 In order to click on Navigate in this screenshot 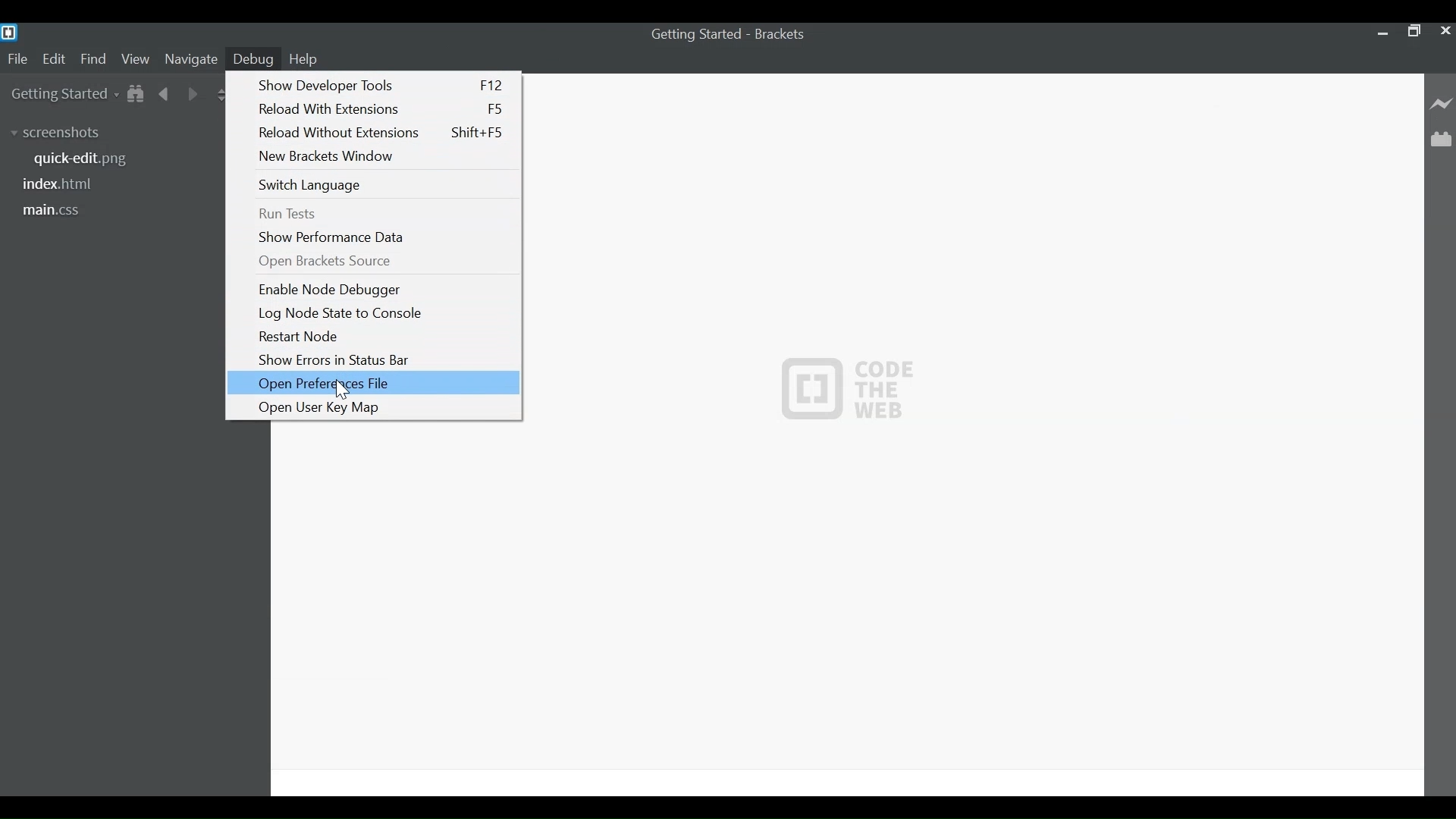, I will do `click(190, 59)`.